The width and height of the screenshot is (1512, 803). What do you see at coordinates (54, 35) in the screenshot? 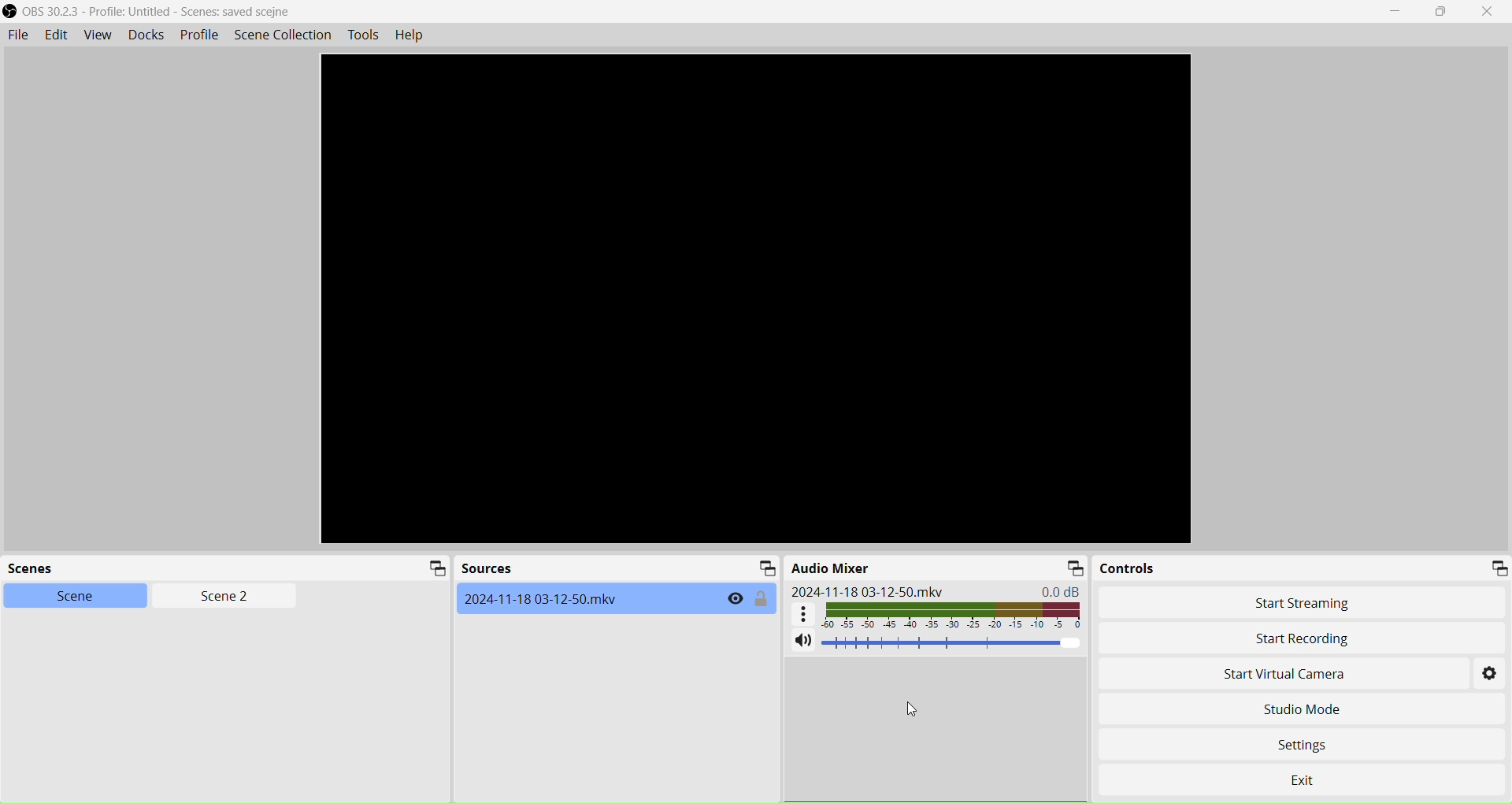
I see `Edit` at bounding box center [54, 35].